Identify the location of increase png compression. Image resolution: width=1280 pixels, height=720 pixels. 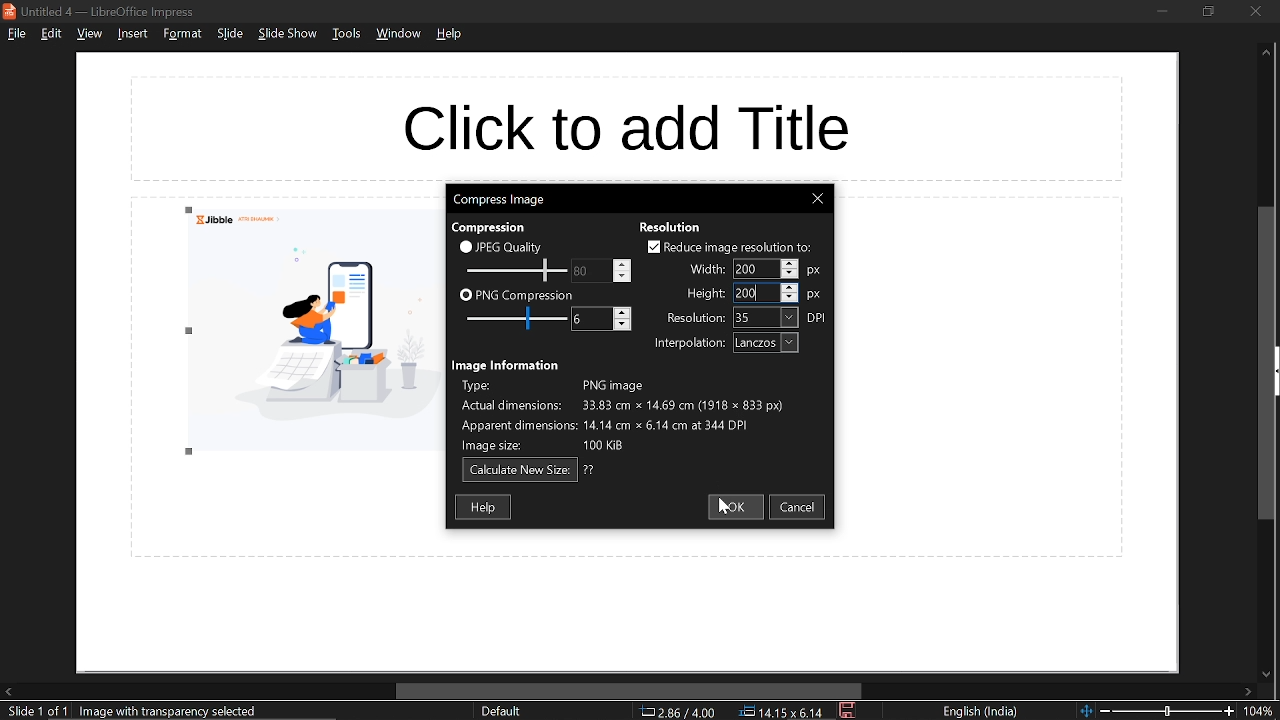
(623, 312).